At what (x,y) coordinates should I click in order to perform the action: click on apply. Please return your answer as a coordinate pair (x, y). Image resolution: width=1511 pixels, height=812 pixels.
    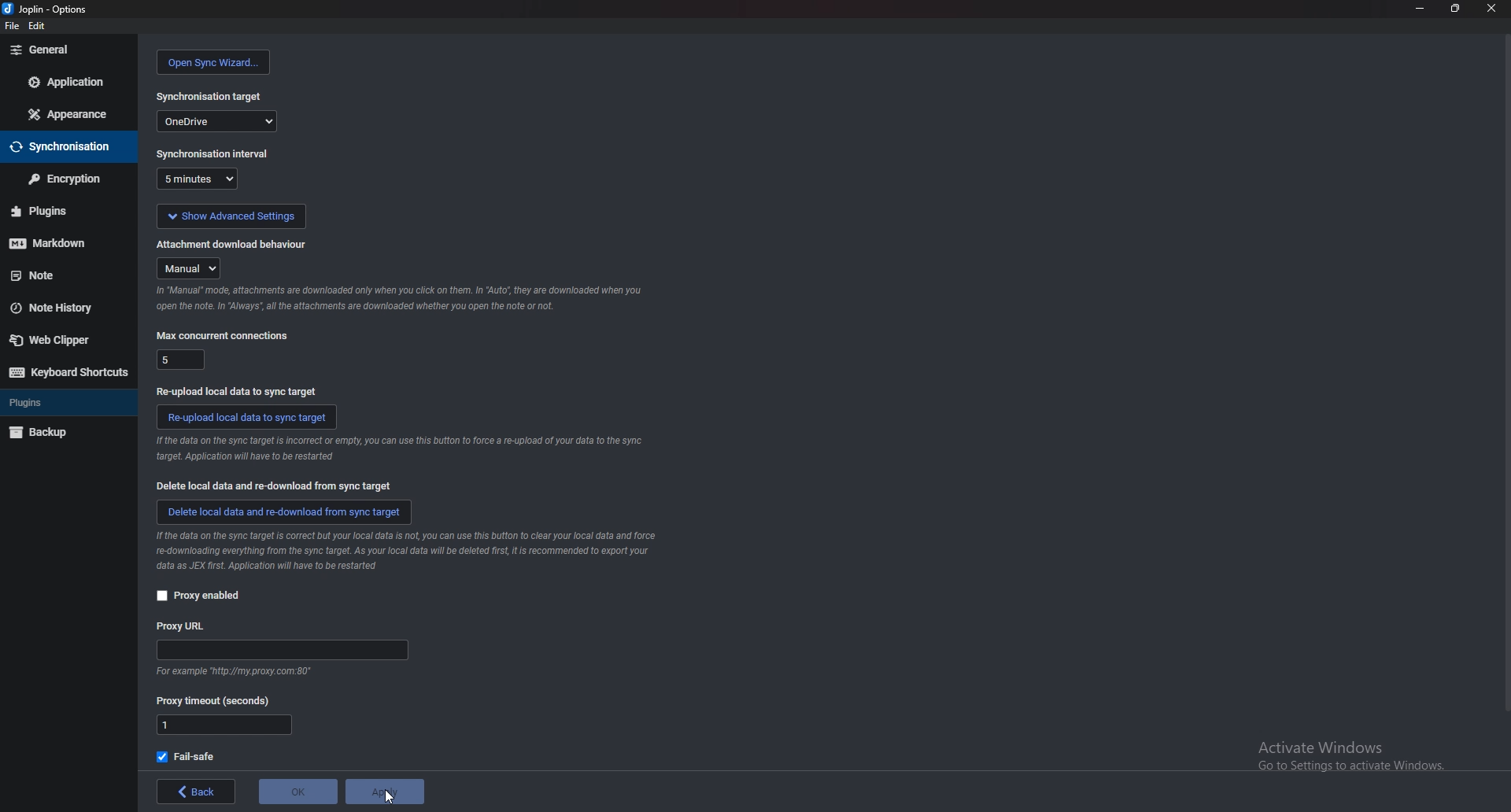
    Looking at the image, I should click on (386, 791).